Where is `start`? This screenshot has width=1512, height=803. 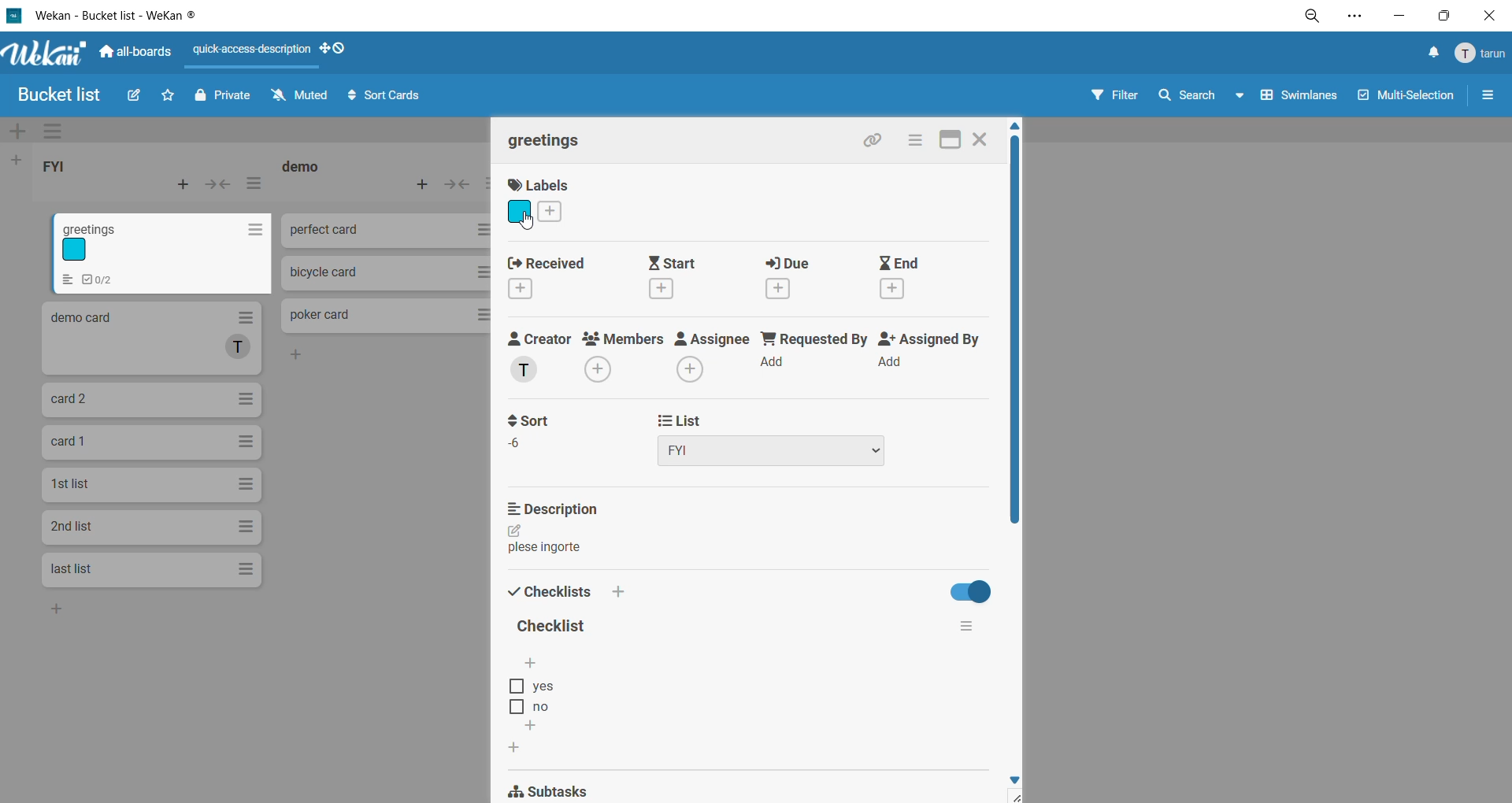 start is located at coordinates (679, 278).